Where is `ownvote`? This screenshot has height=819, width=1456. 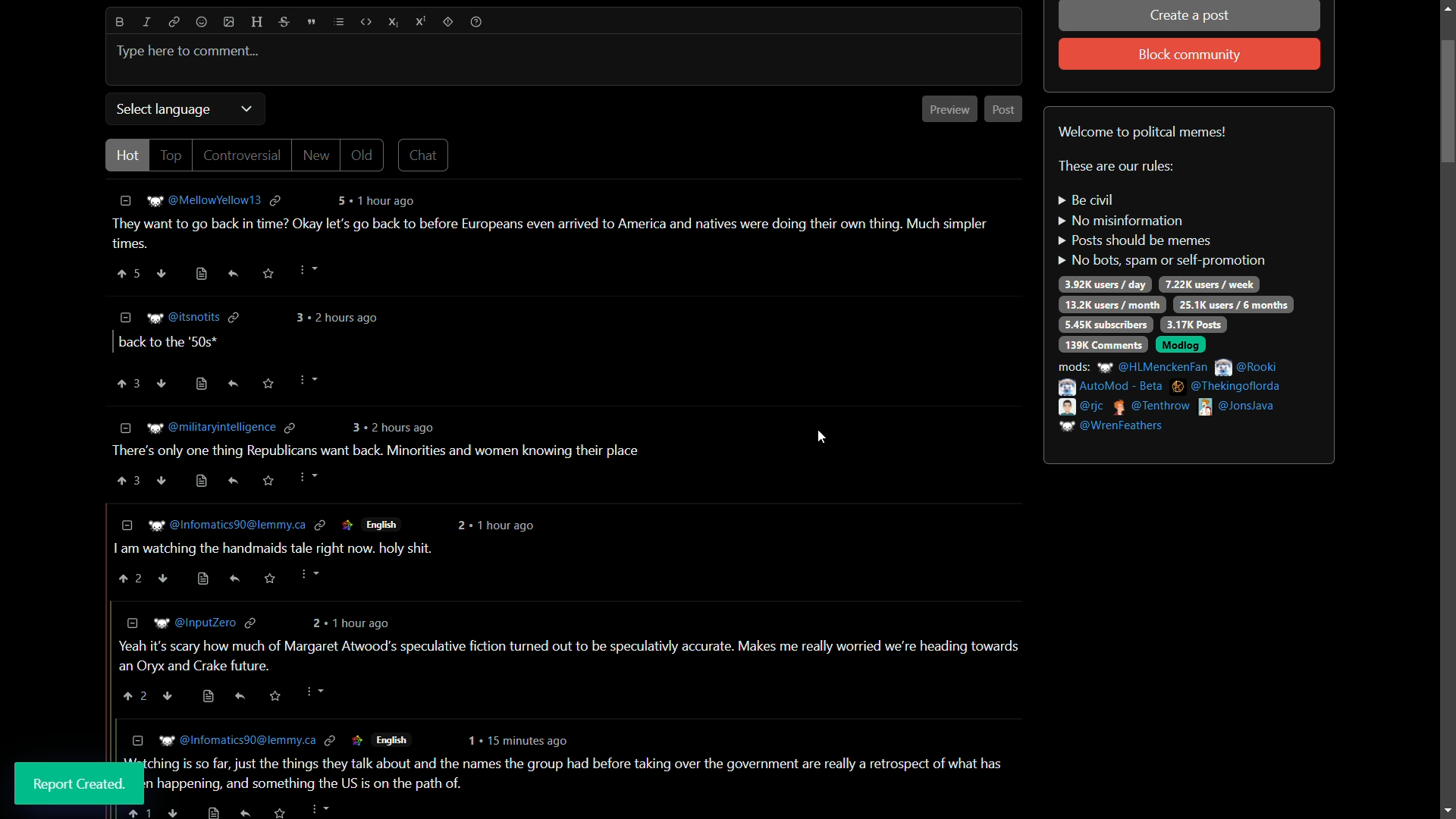 ownvote is located at coordinates (162, 383).